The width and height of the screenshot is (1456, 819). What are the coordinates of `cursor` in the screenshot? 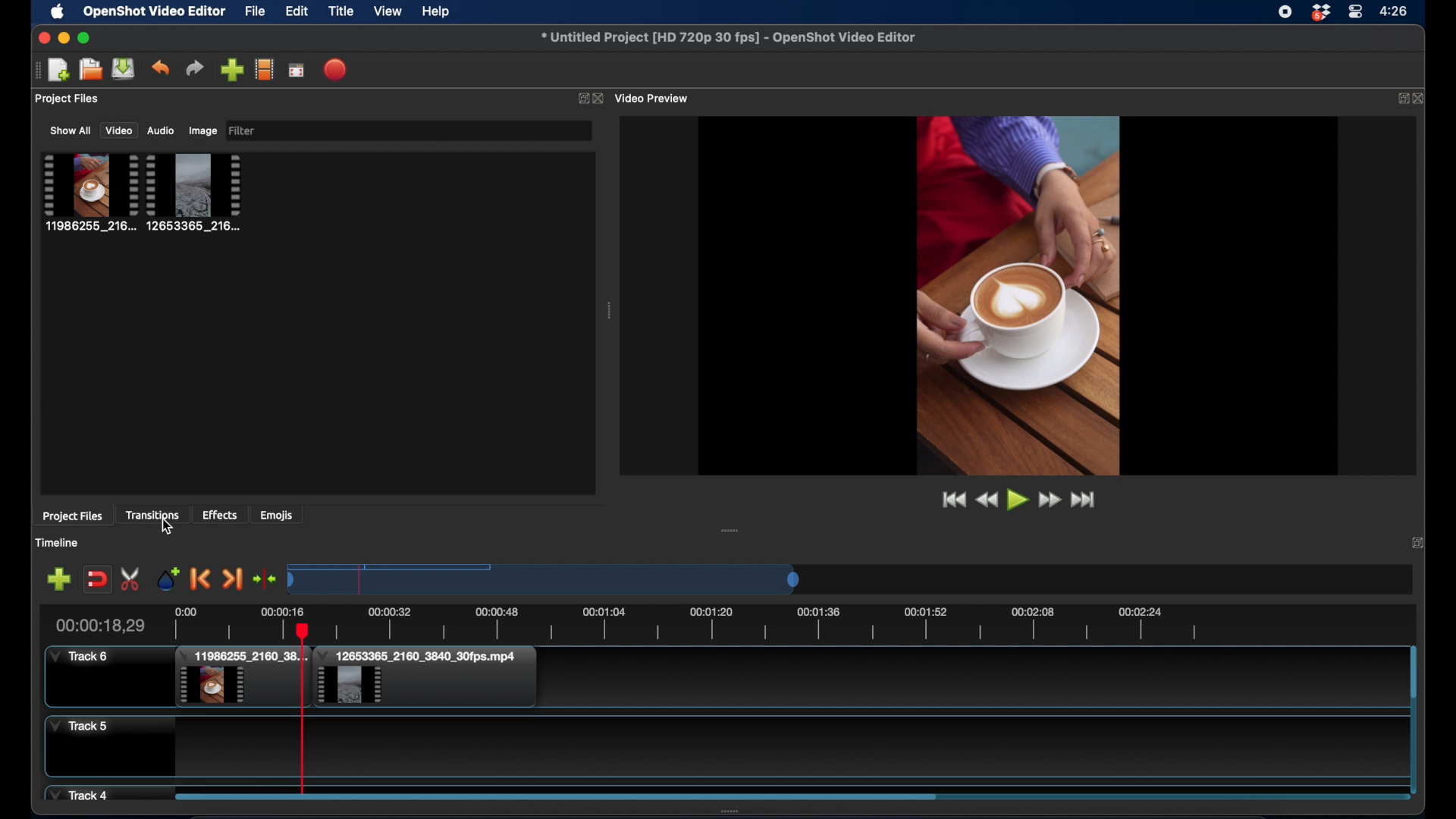 It's located at (303, 633).